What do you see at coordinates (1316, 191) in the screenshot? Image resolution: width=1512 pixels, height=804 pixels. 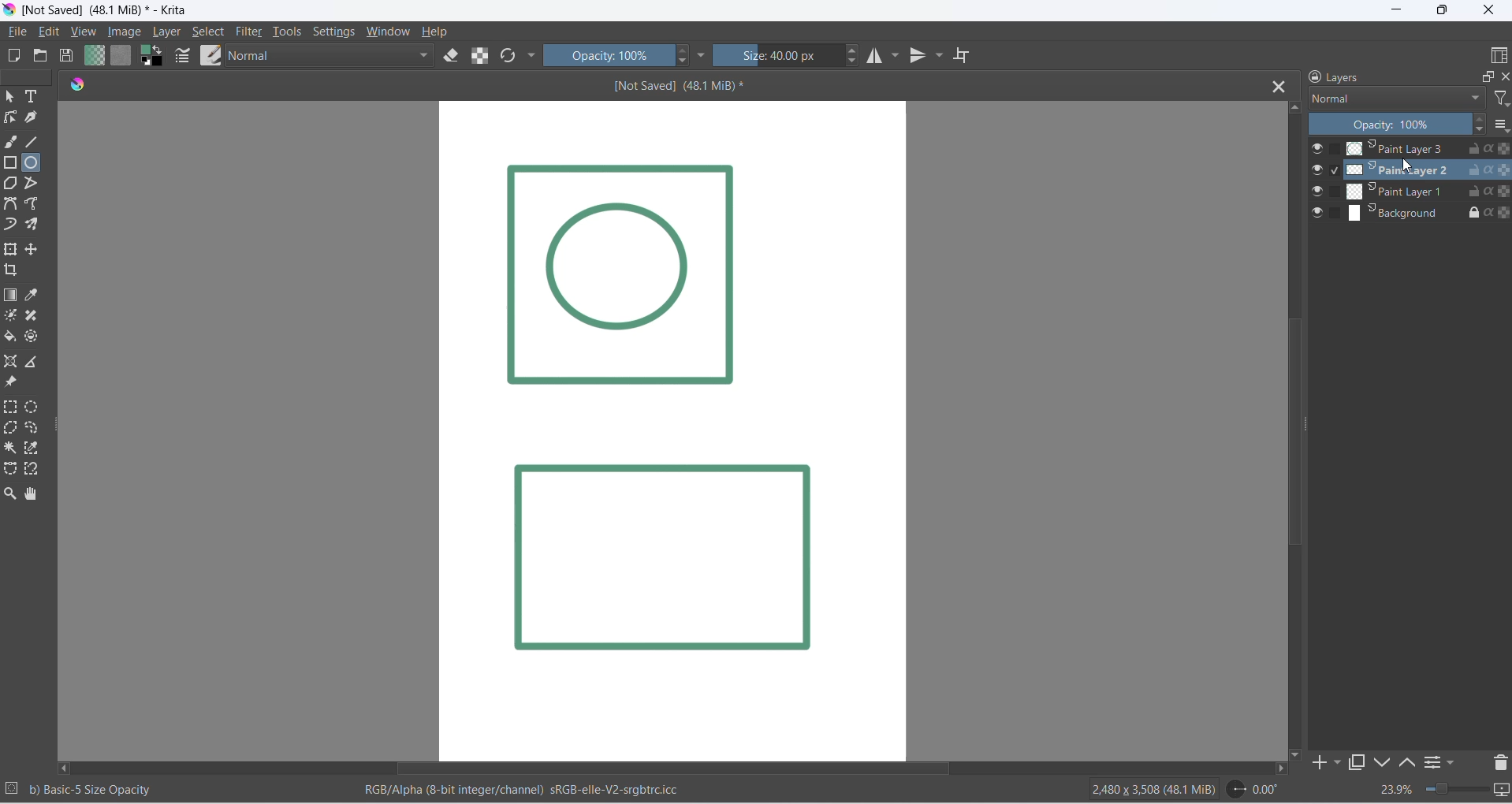 I see `visibilty` at bounding box center [1316, 191].